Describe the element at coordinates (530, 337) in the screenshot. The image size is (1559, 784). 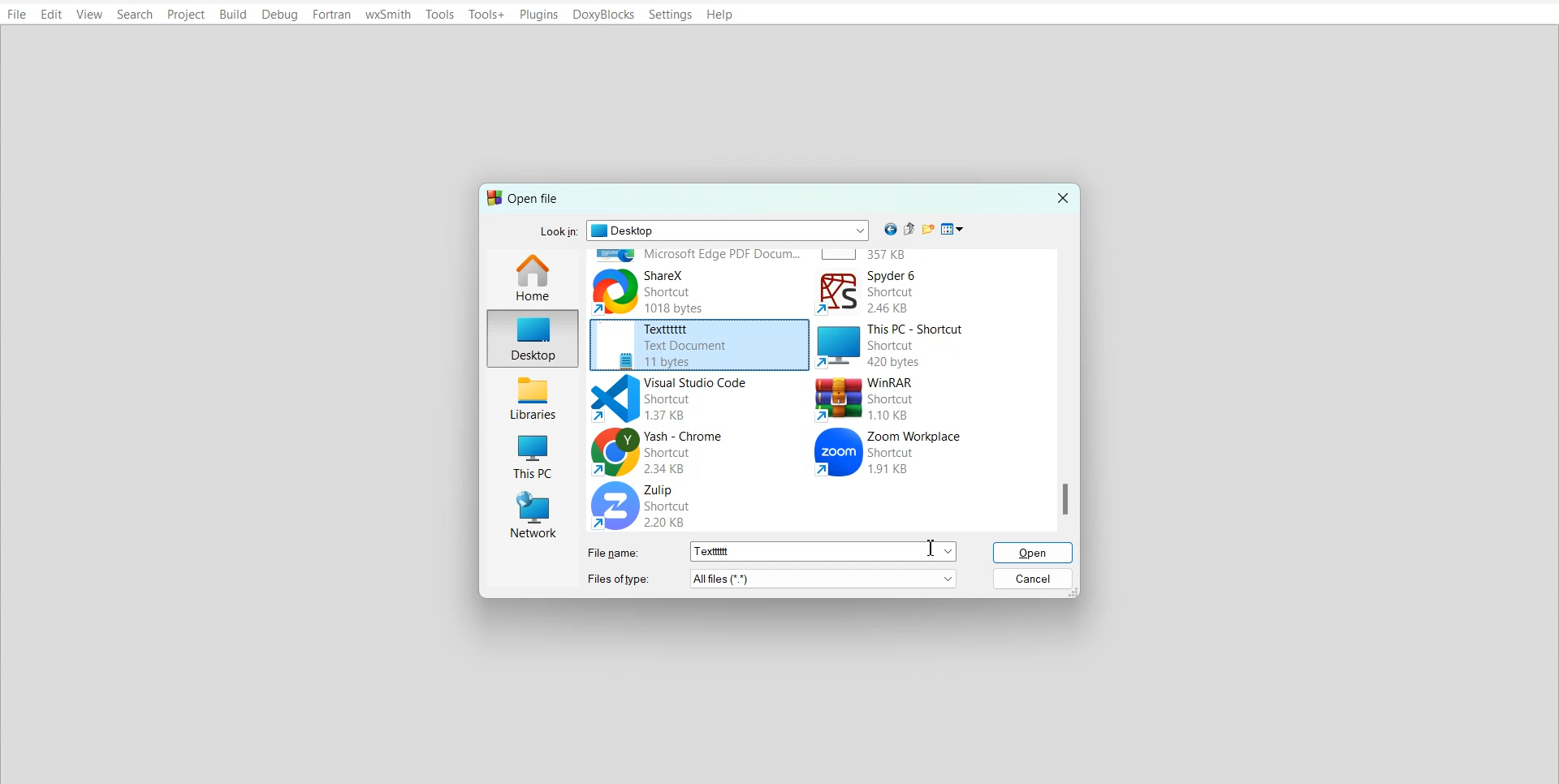
I see `Desktop` at that location.